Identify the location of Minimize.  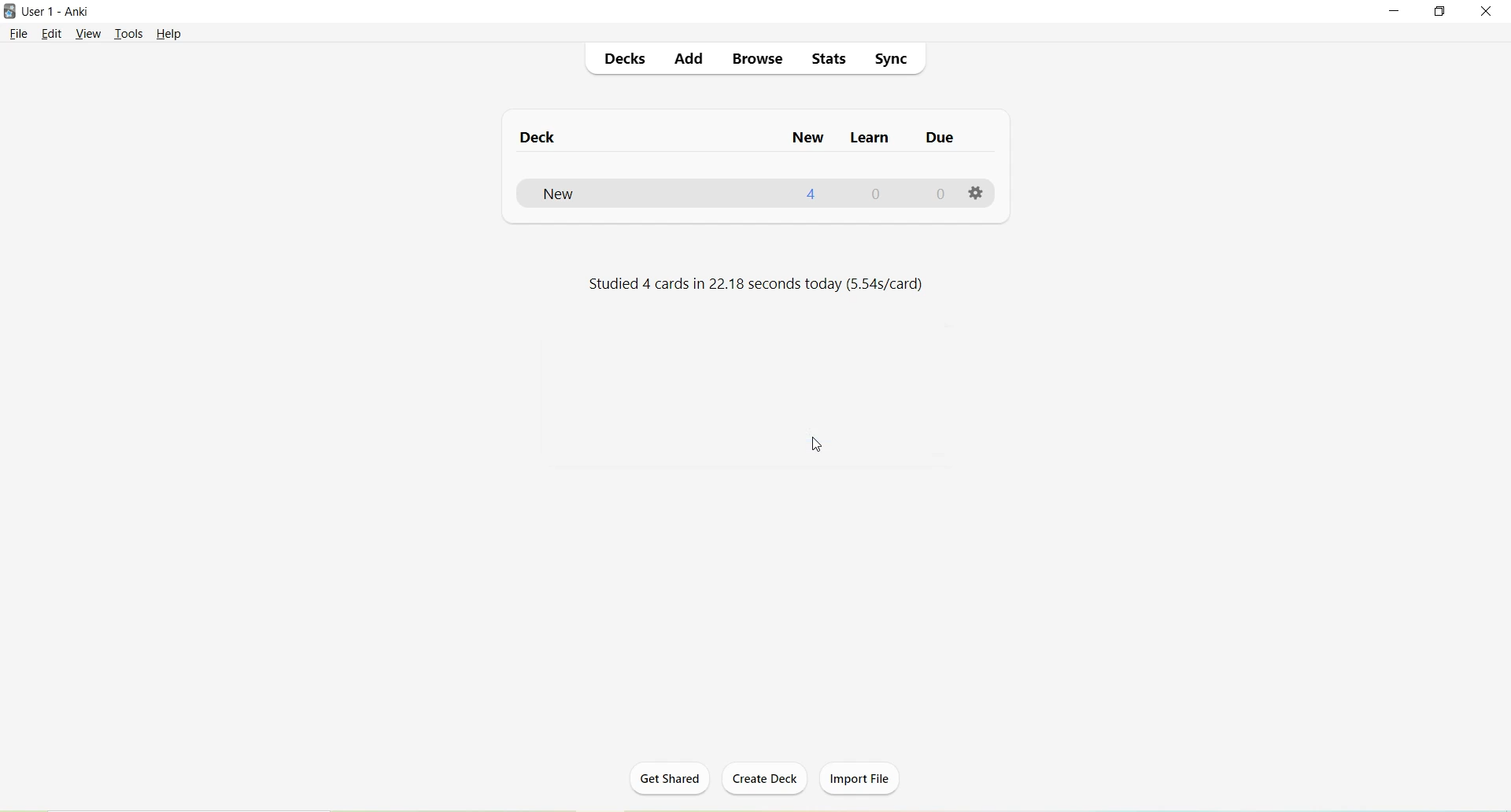
(1397, 12).